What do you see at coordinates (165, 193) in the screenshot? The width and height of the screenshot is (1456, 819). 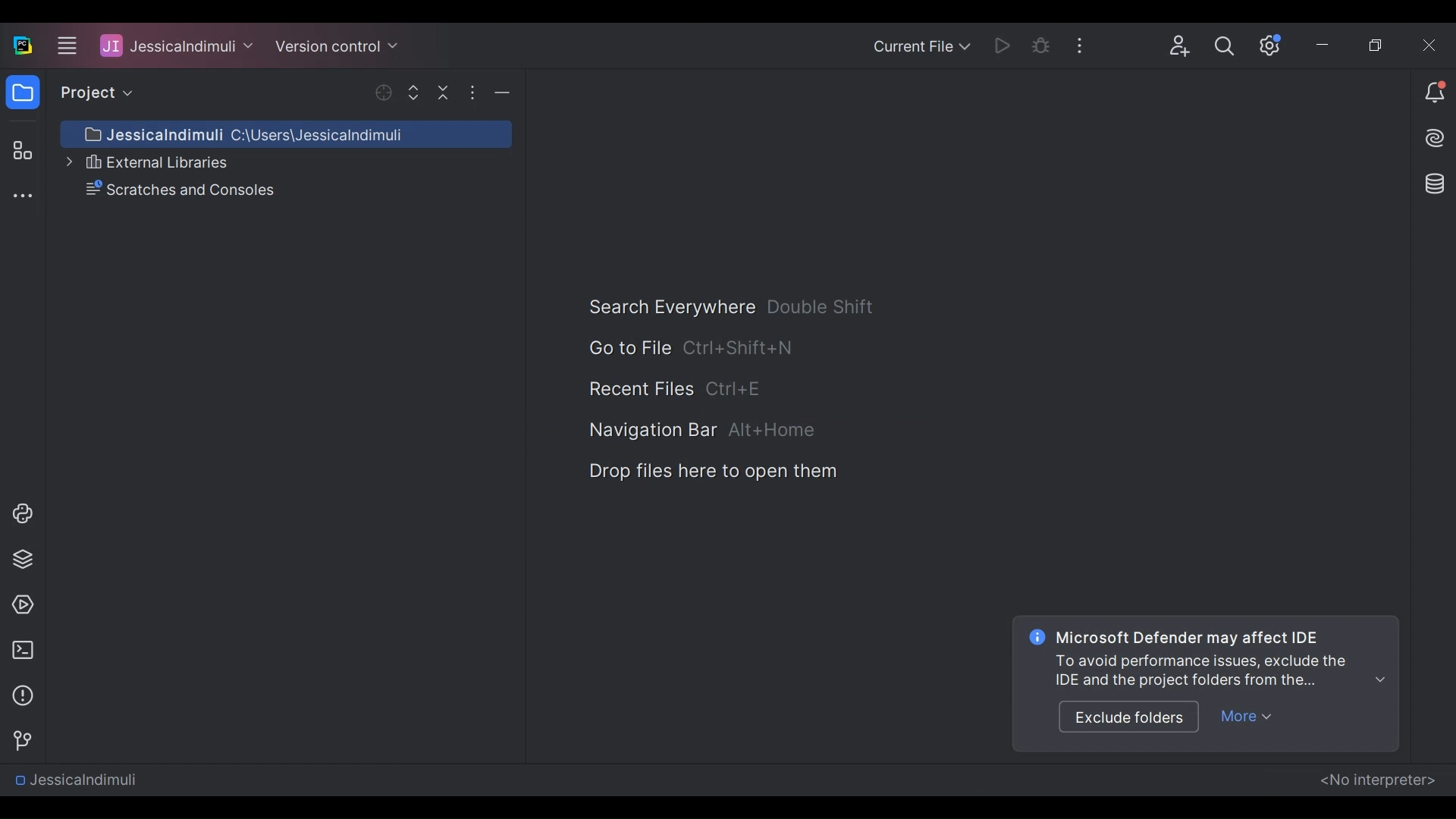 I see `Scratches and Console` at bounding box center [165, 193].